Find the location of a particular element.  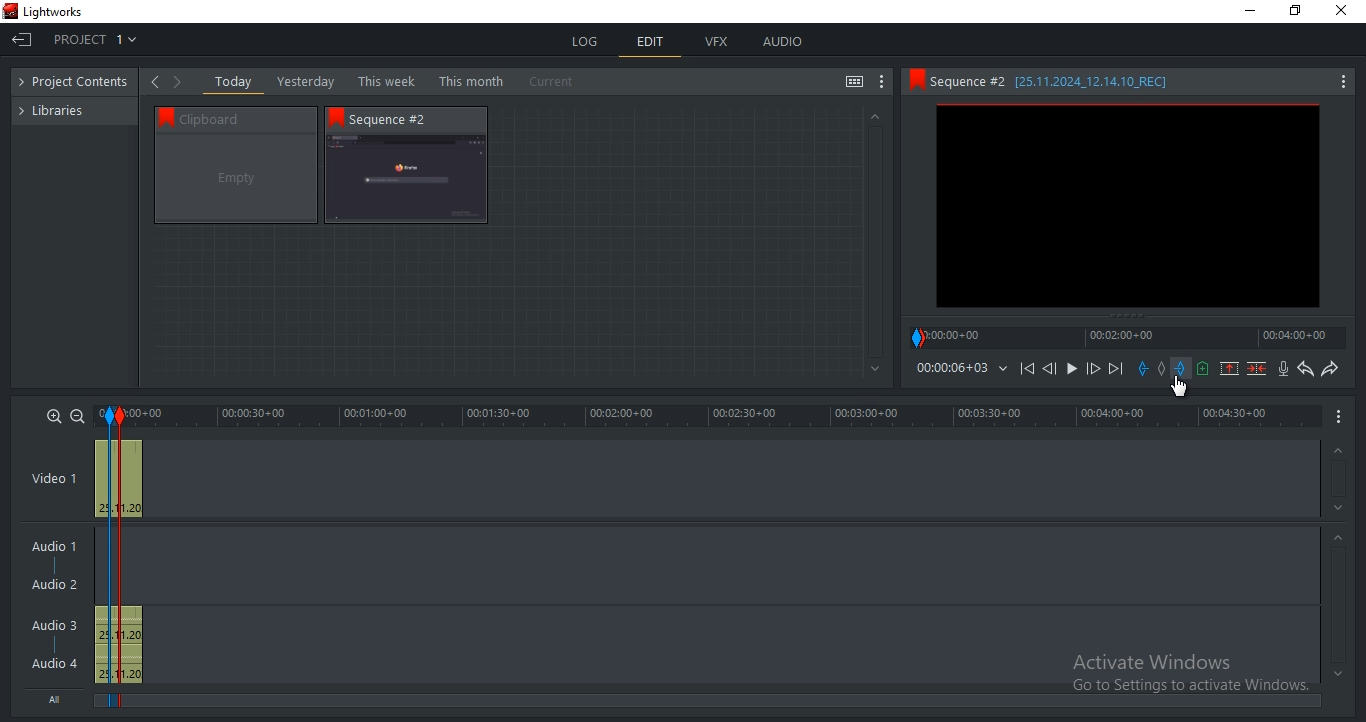

timeline marker is located at coordinates (128, 561).